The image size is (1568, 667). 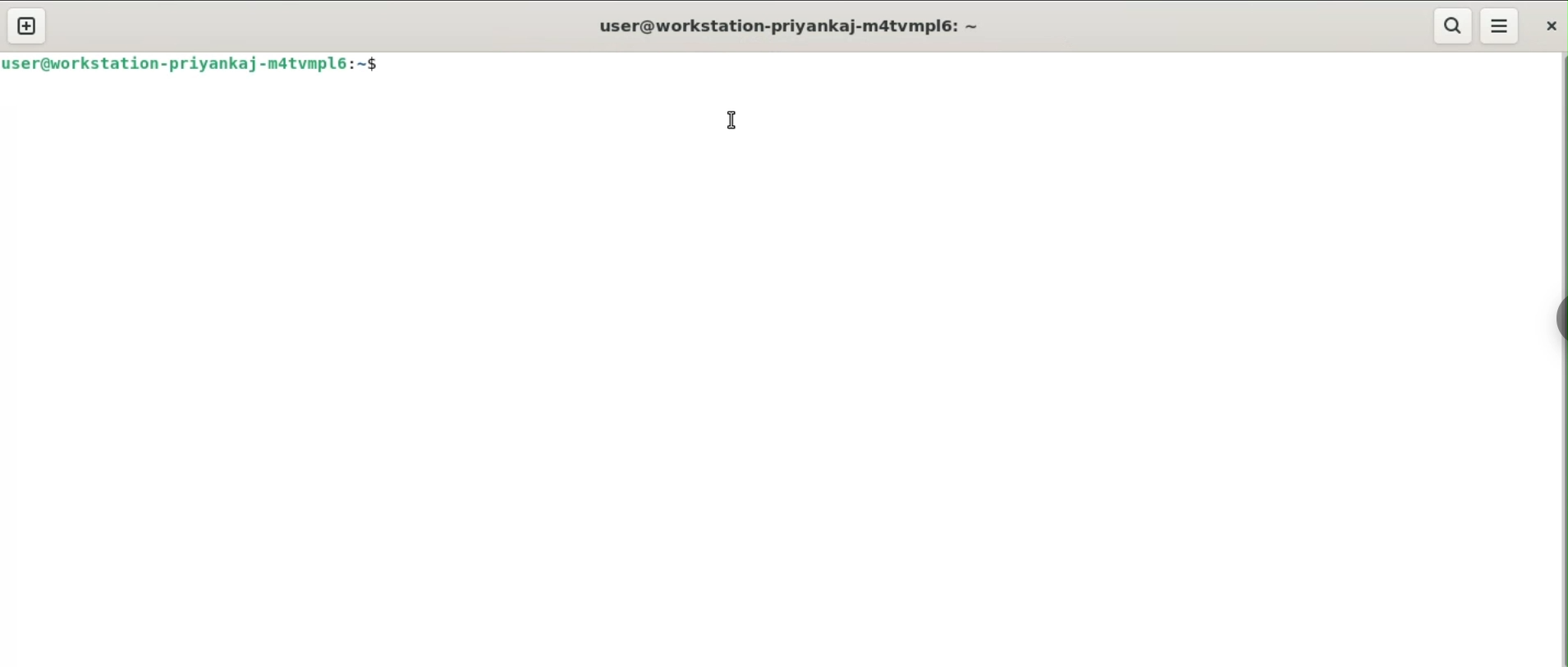 What do you see at coordinates (198, 65) in the screenshot?
I see `user@workstation-priyankaj-m4tvmpl6: ~$` at bounding box center [198, 65].